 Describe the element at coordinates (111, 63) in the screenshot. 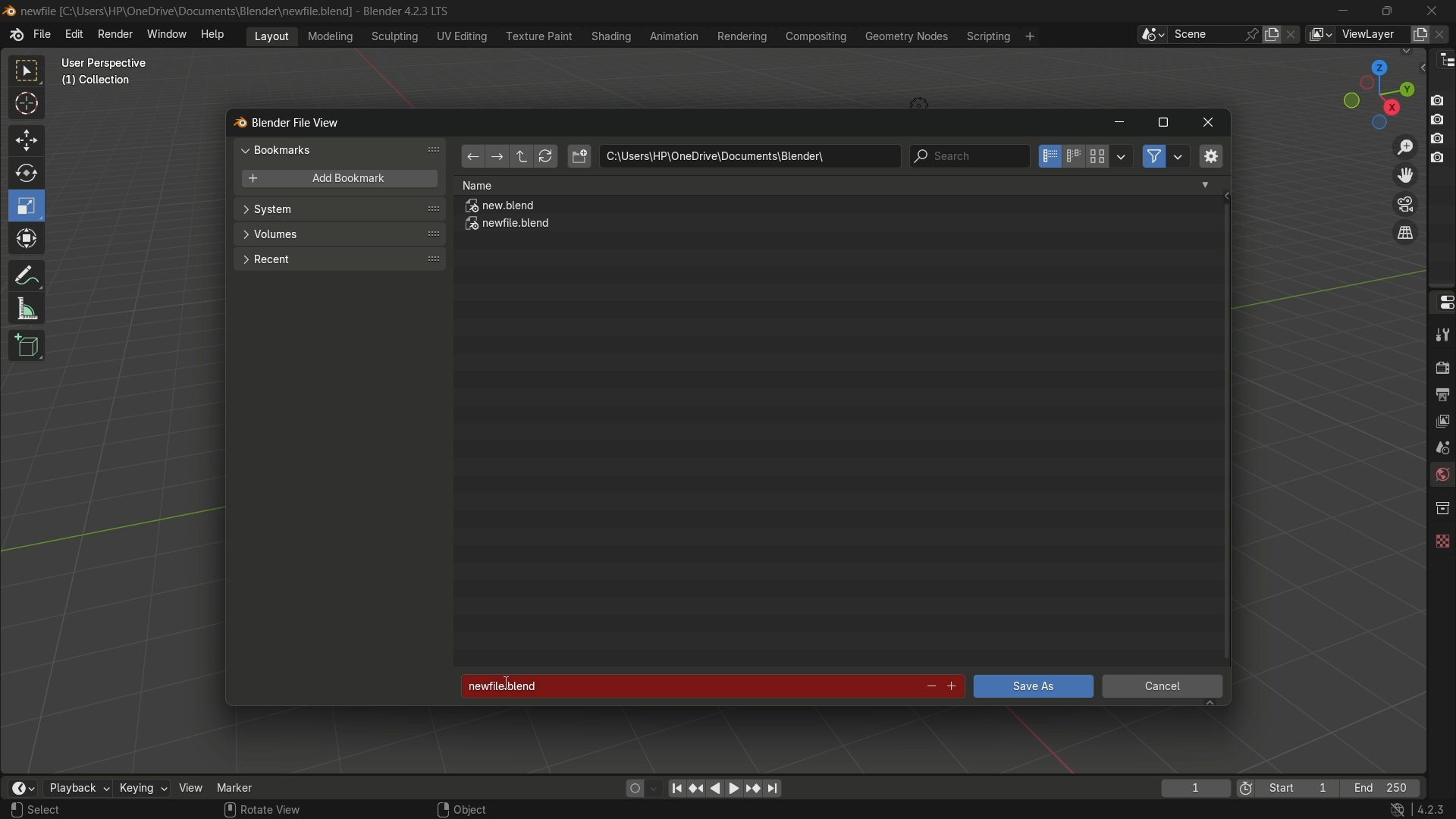

I see `User prepective` at that location.